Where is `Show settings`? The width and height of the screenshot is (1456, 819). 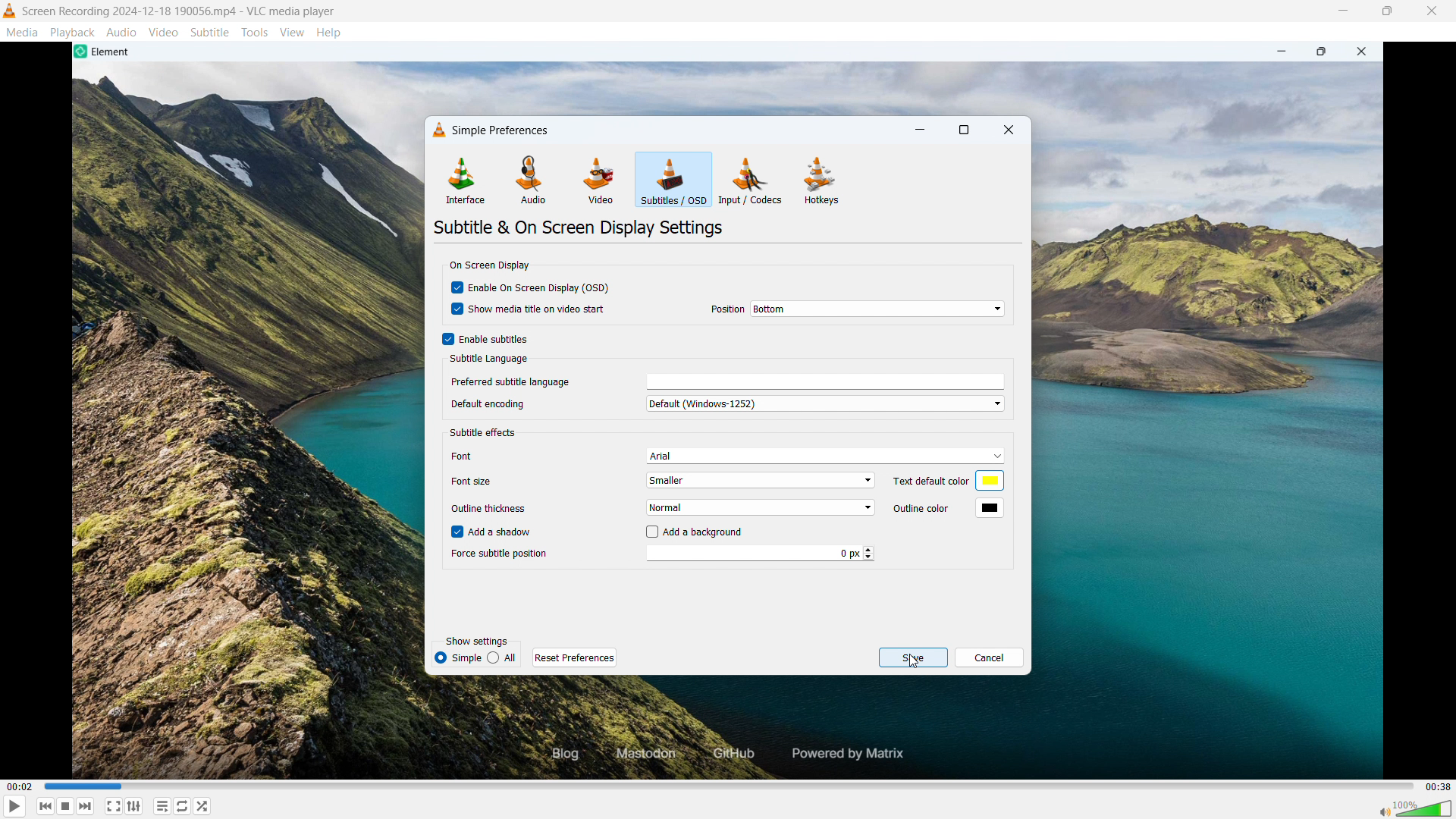 Show settings is located at coordinates (476, 641).